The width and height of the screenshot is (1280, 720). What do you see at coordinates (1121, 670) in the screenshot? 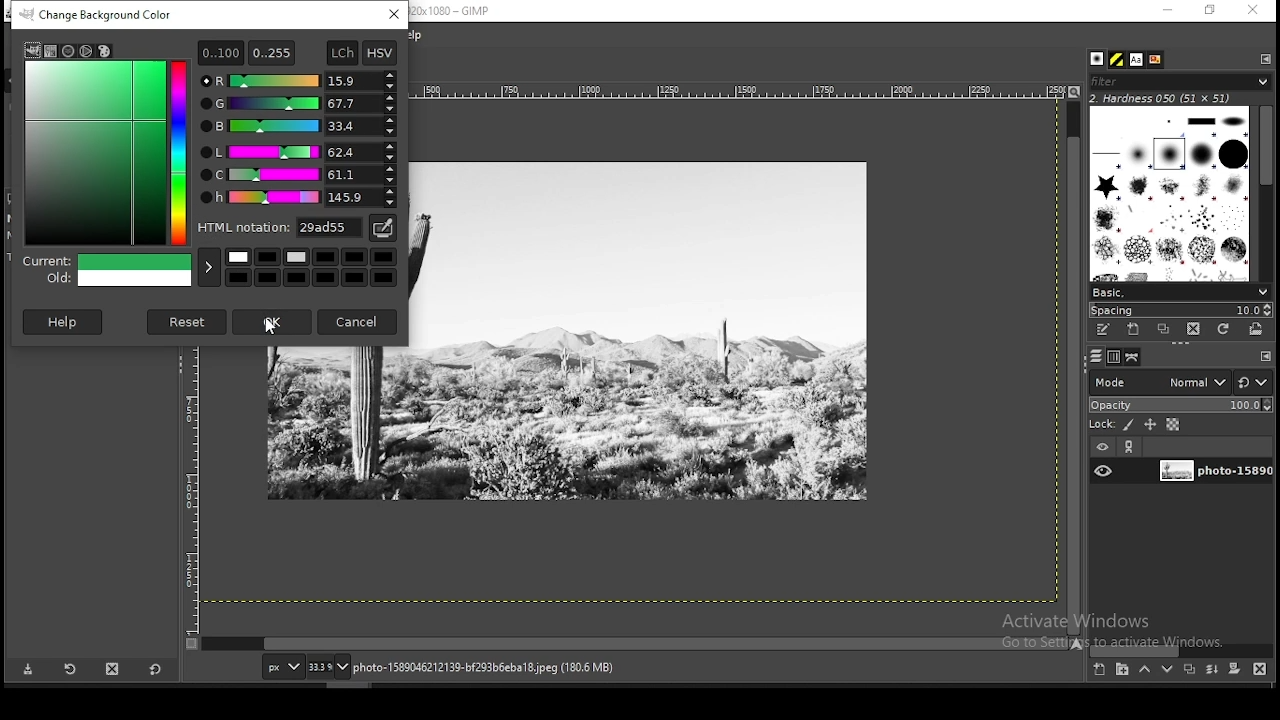
I see `new layer group` at bounding box center [1121, 670].